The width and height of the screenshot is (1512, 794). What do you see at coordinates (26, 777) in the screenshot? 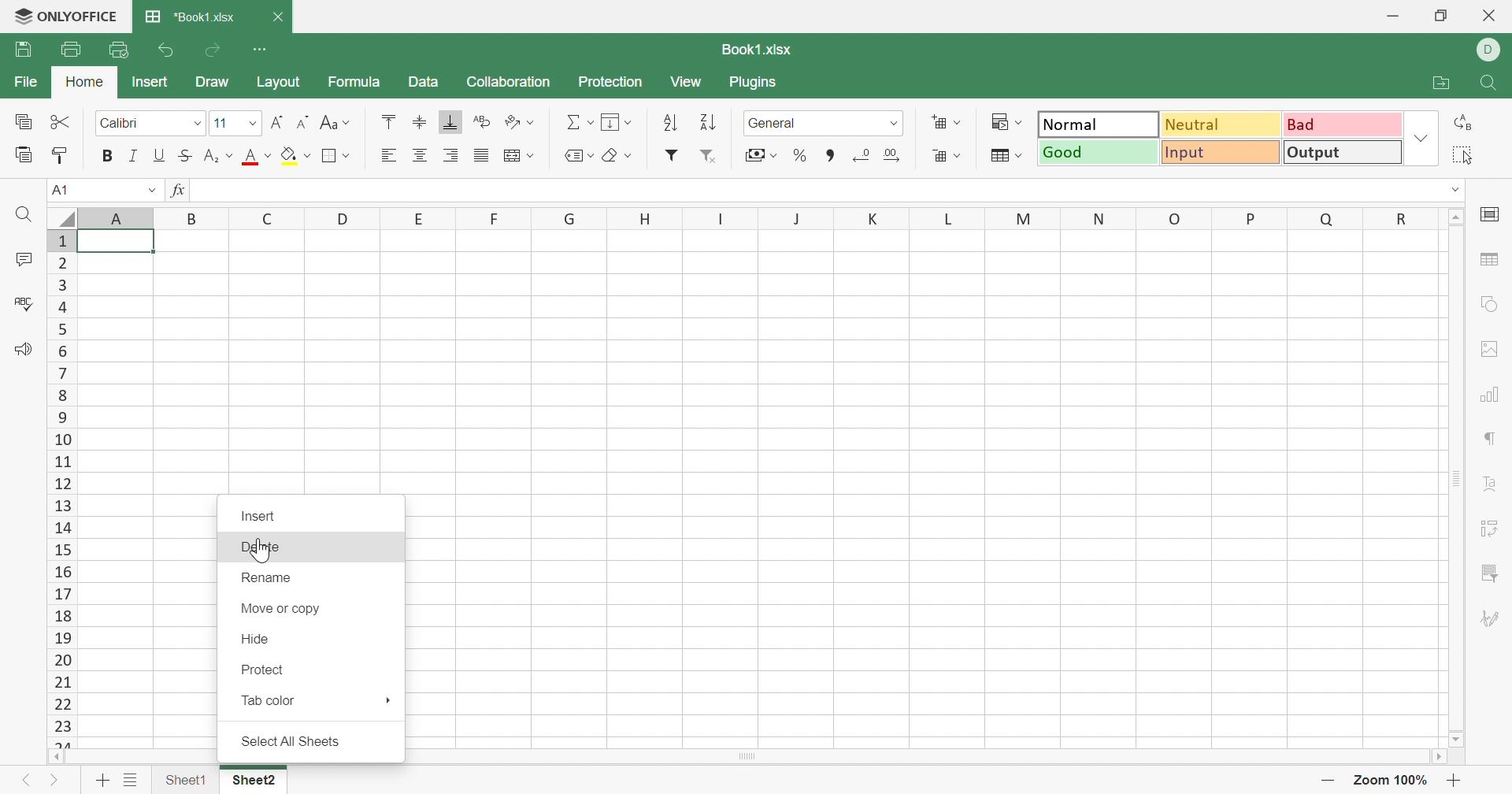
I see `Previous` at bounding box center [26, 777].